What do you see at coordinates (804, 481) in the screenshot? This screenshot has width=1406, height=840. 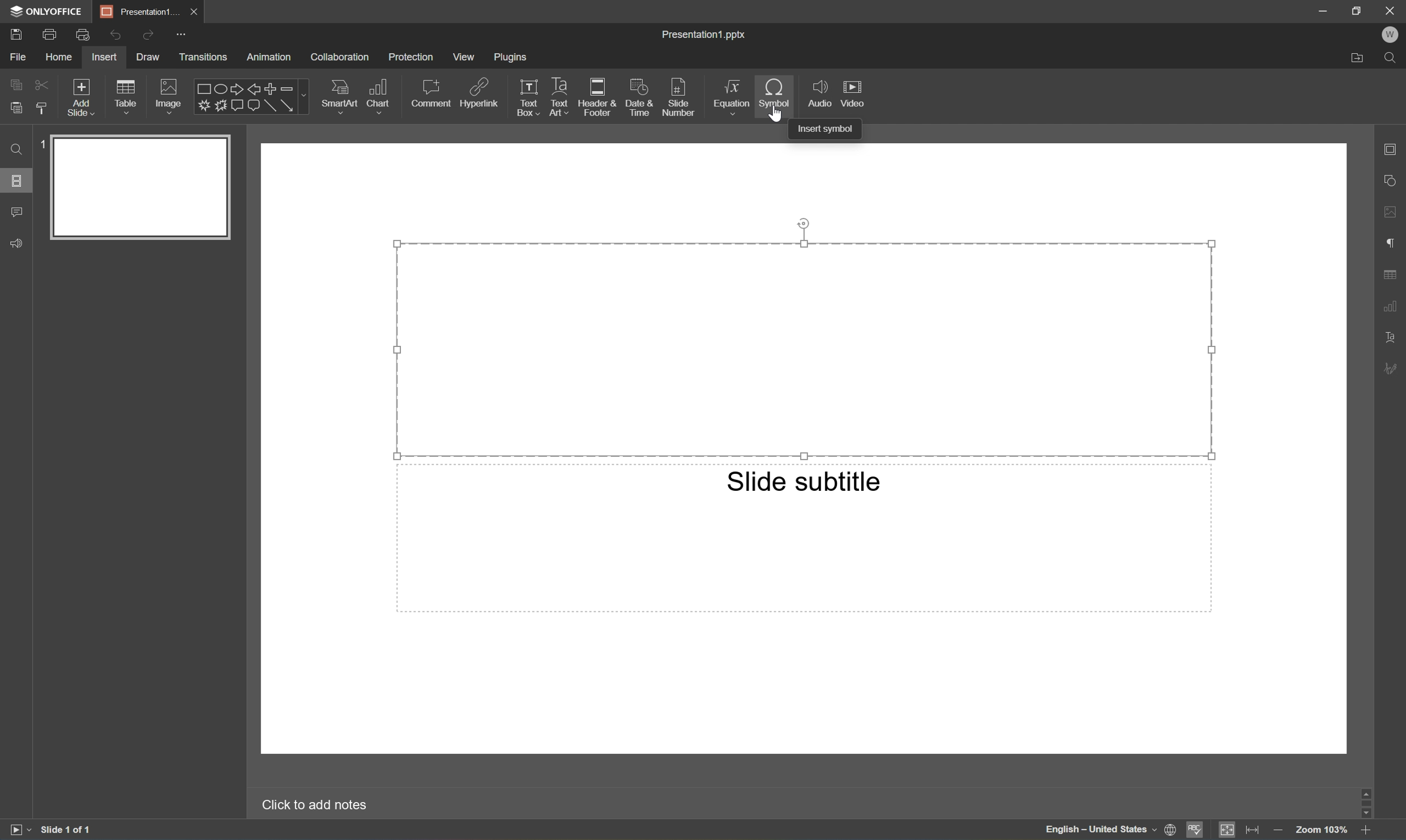 I see `Slide subtitle` at bounding box center [804, 481].